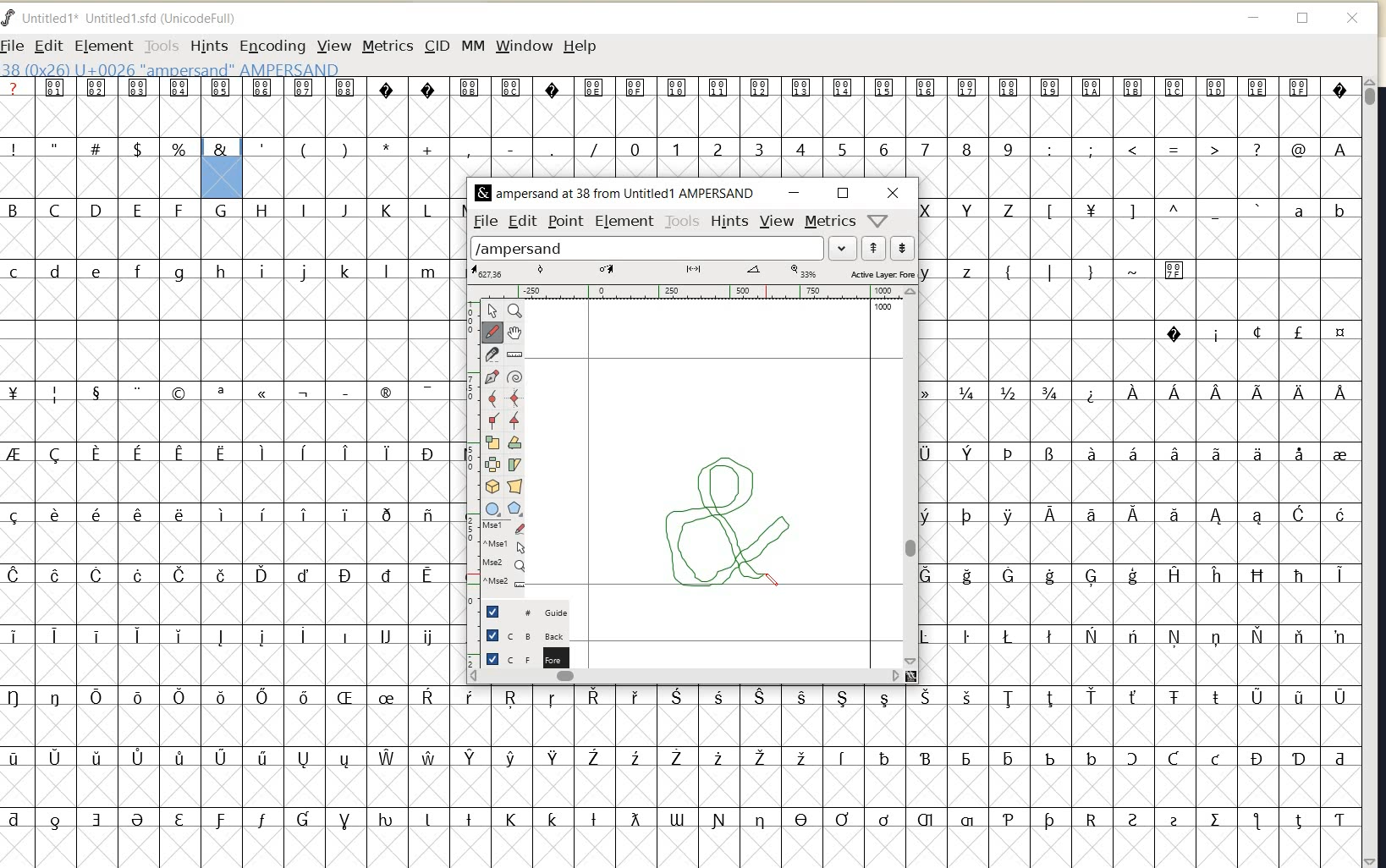 Image resolution: width=1386 pixels, height=868 pixels. What do you see at coordinates (770, 580) in the screenshot?
I see `PENCIL TOOL (draw a freehand curve)/cursor position` at bounding box center [770, 580].